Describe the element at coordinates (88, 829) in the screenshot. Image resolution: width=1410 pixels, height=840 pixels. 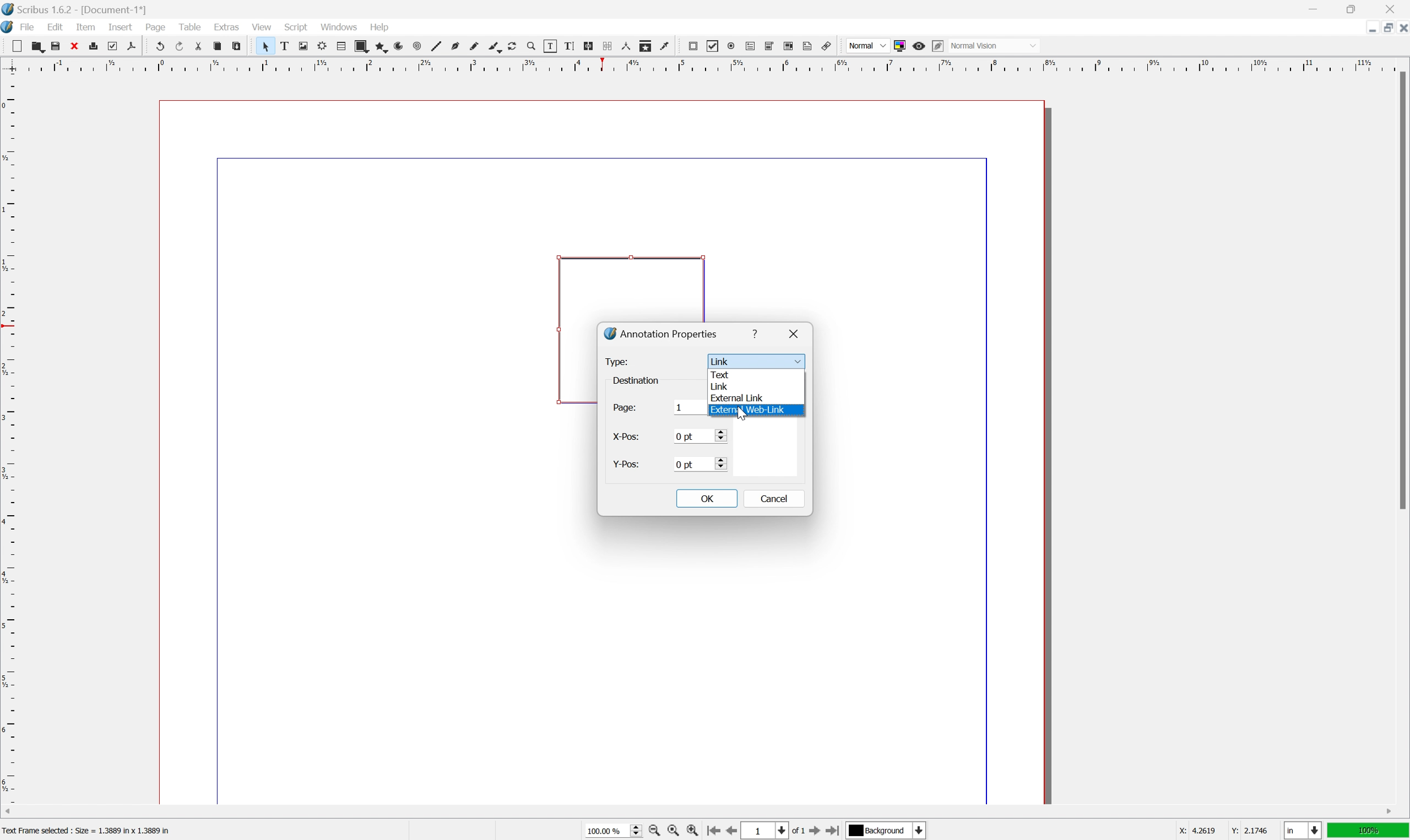
I see `Text frame selected : size = 1.3889 in × 1.3889 in` at that location.